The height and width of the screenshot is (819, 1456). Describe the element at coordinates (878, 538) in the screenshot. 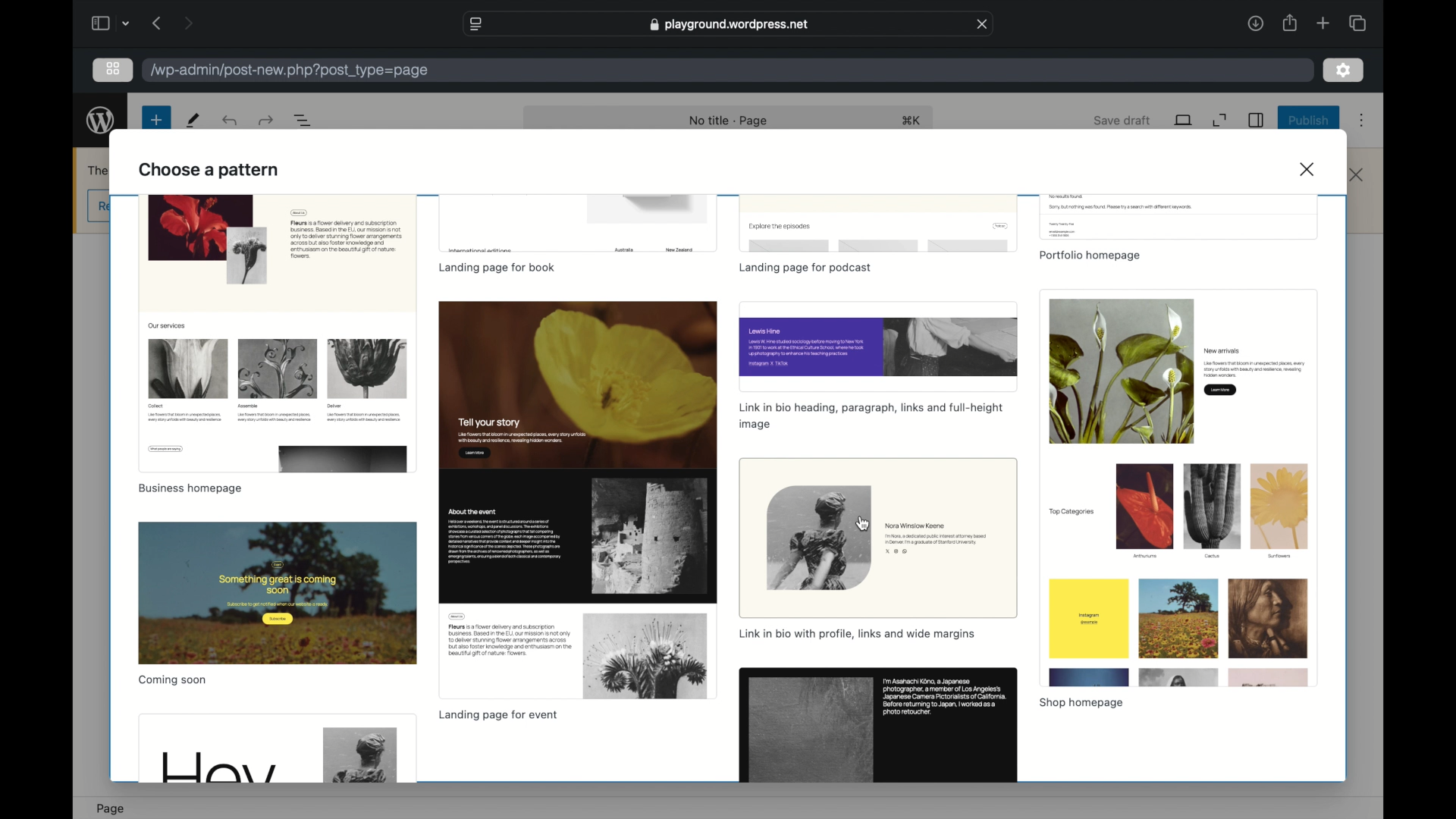

I see `preview` at that location.